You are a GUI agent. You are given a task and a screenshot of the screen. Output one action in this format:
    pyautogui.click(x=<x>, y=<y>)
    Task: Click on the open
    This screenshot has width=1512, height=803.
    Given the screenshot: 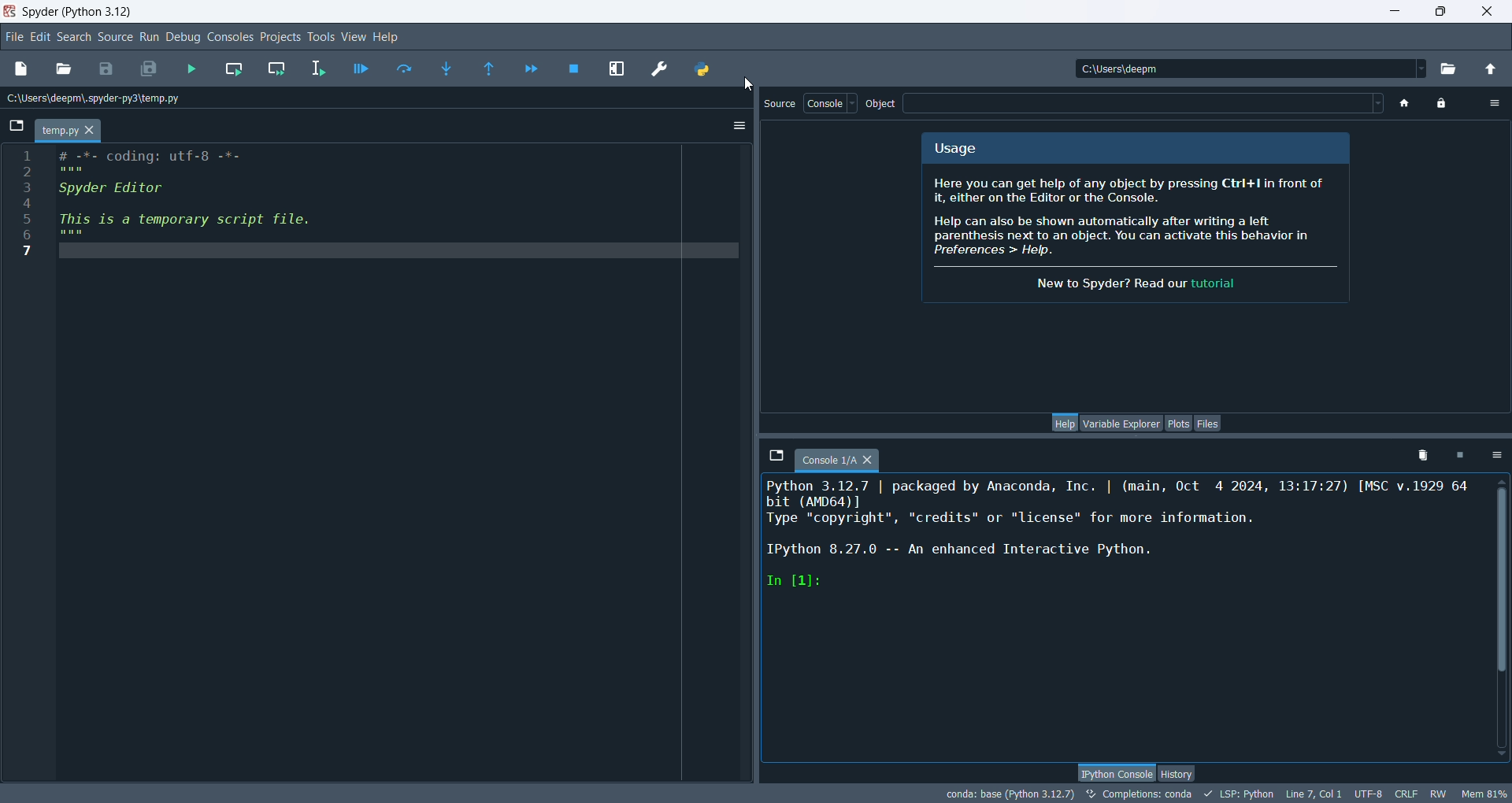 What is the action you would take?
    pyautogui.click(x=65, y=68)
    